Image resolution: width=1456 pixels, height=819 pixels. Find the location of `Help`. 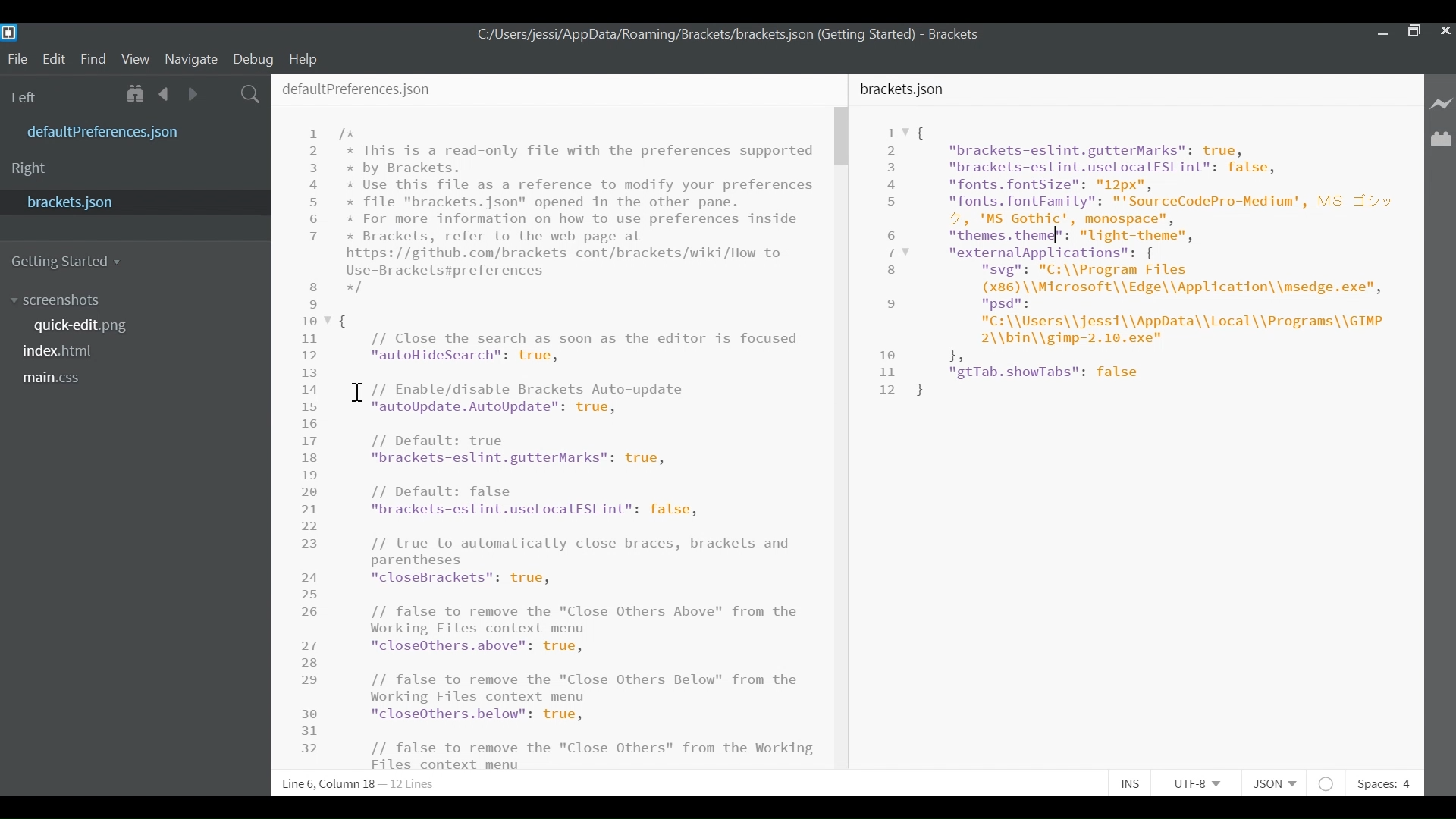

Help is located at coordinates (311, 58).